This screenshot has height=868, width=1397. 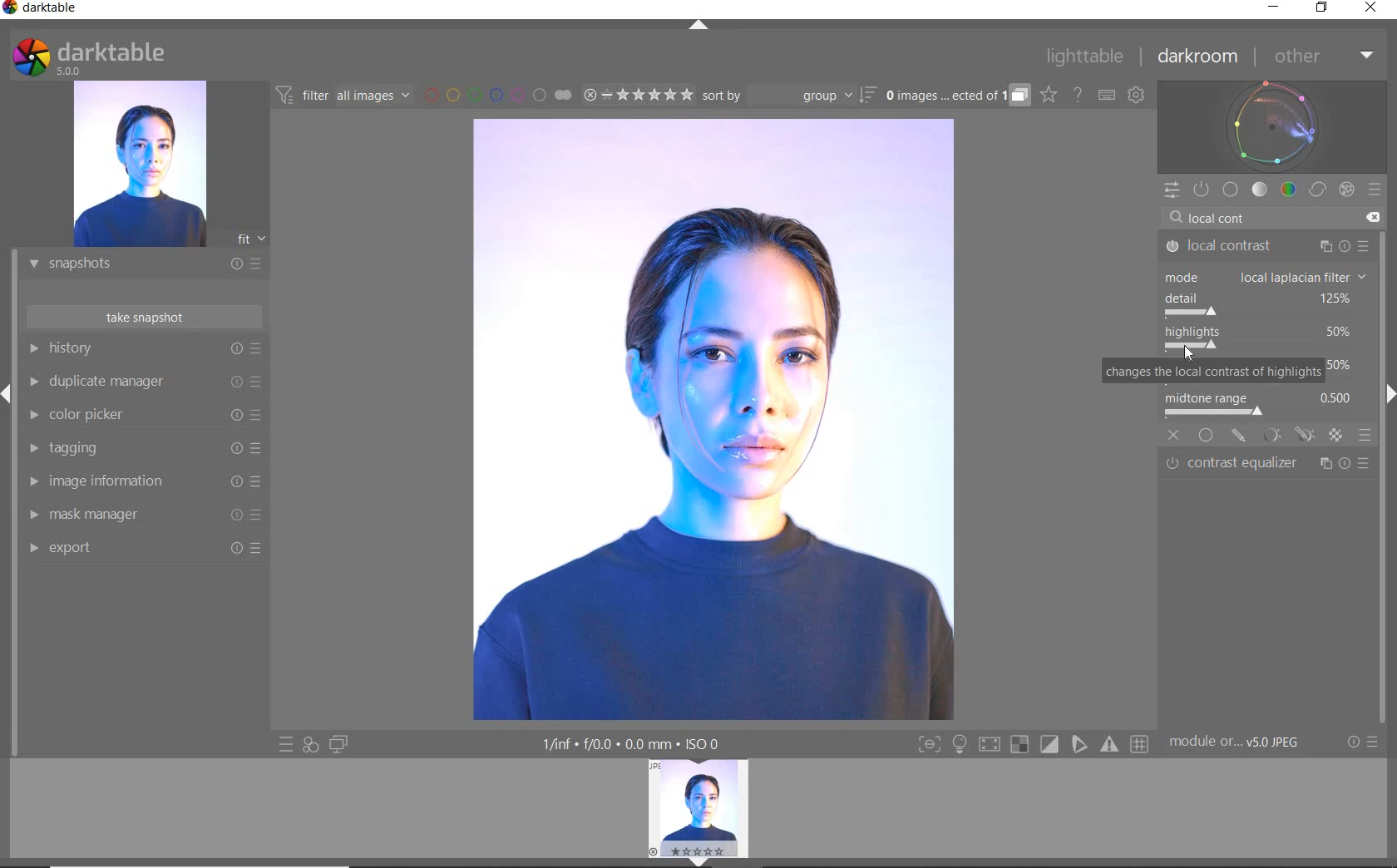 I want to click on IMAGE PREVIEW, so click(x=698, y=808).